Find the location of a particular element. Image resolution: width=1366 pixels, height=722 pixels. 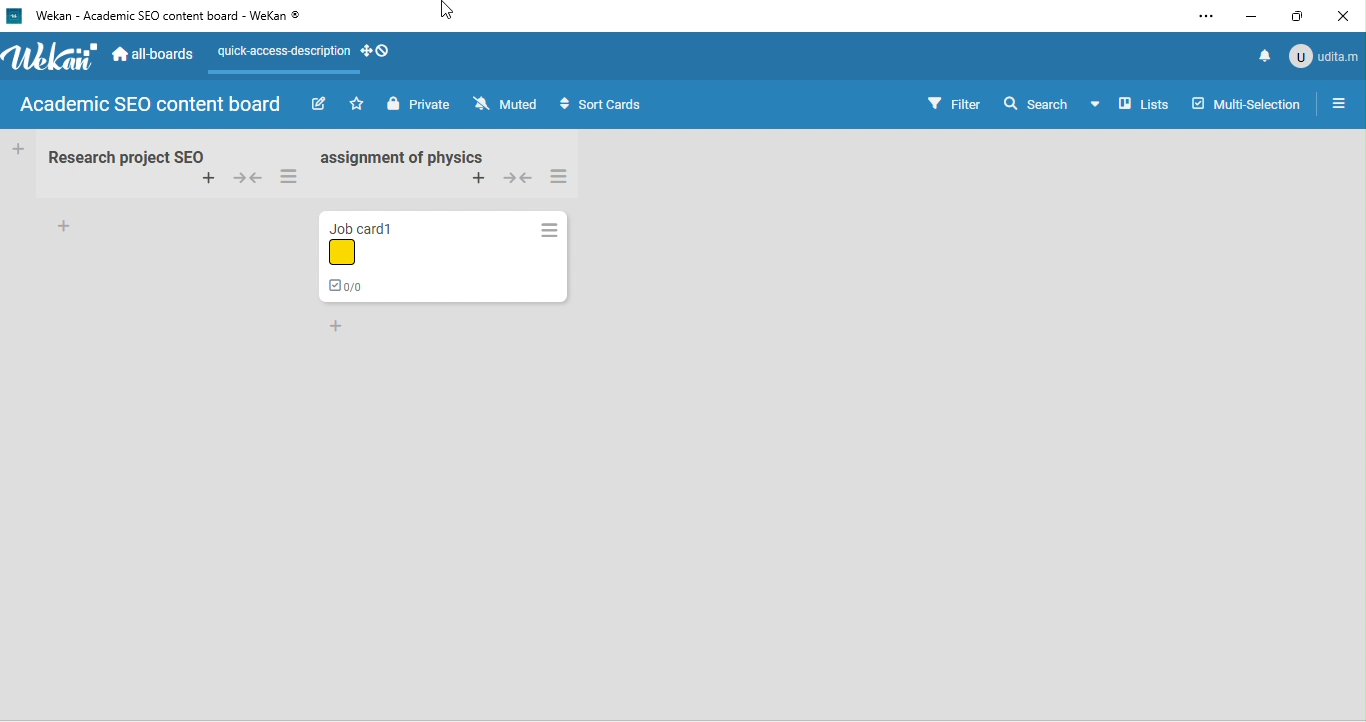

add is located at coordinates (71, 227).